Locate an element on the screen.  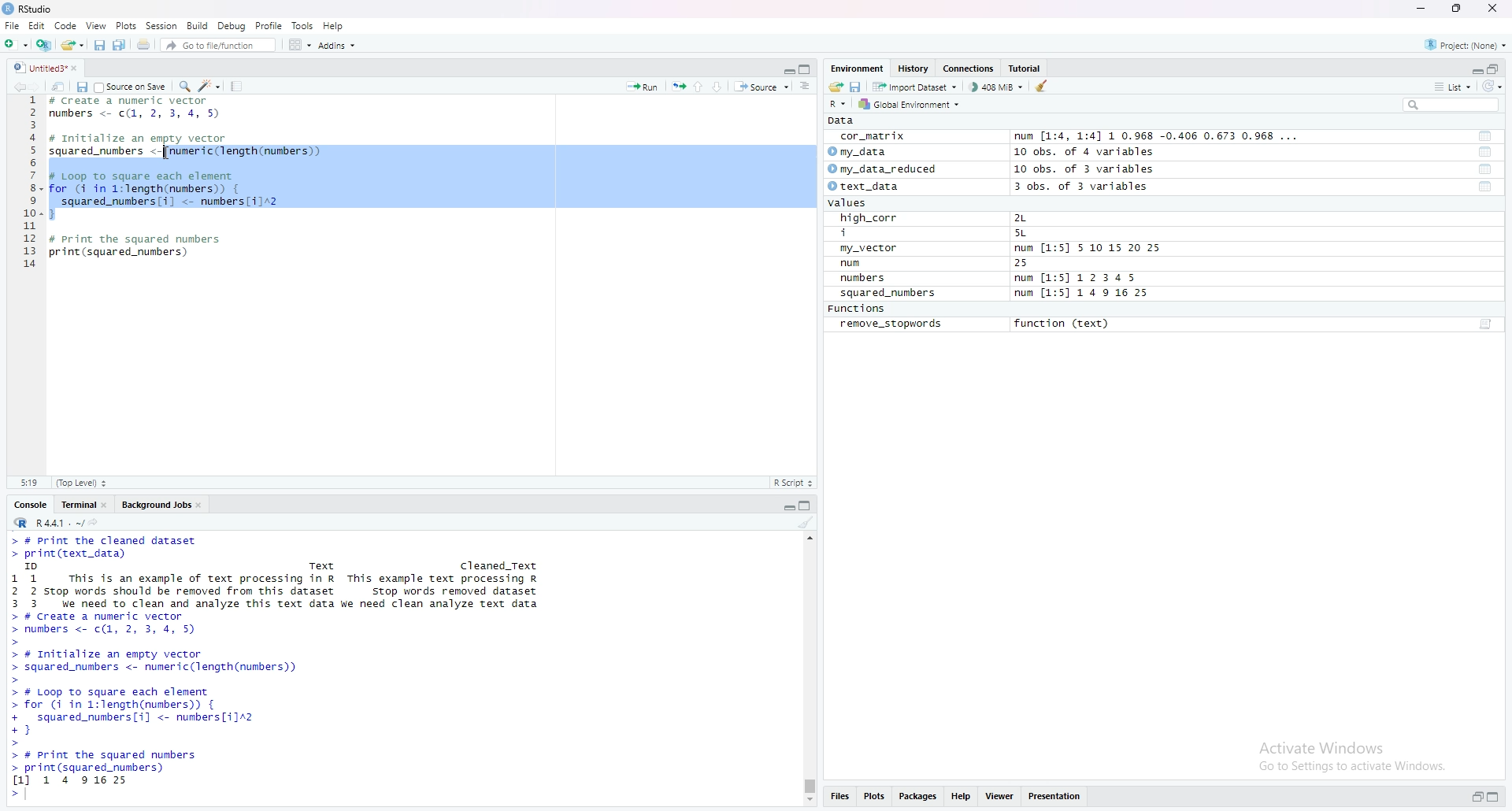
compile report is located at coordinates (236, 86).